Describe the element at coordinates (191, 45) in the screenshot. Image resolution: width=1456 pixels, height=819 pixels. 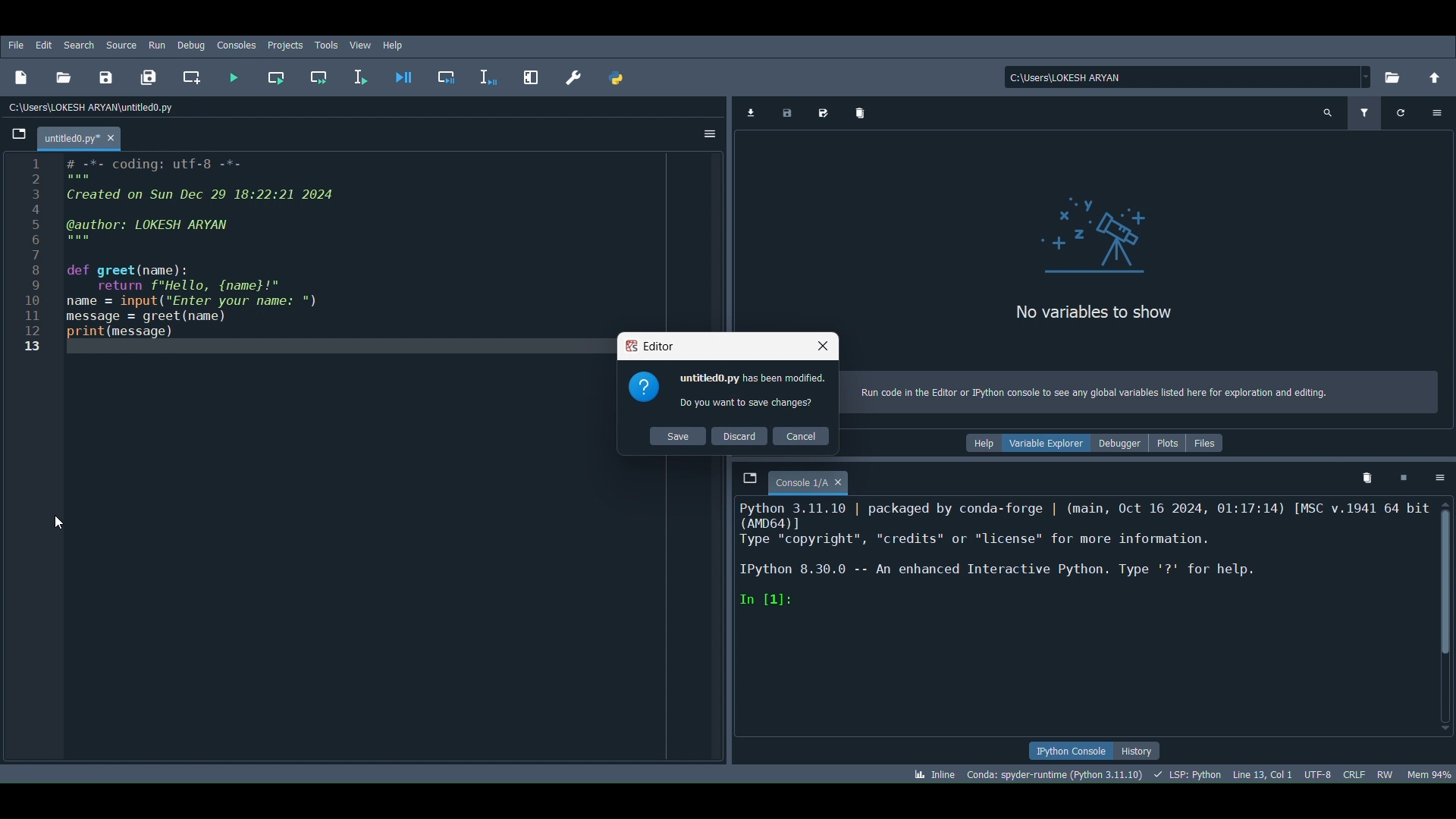
I see `Debug` at that location.